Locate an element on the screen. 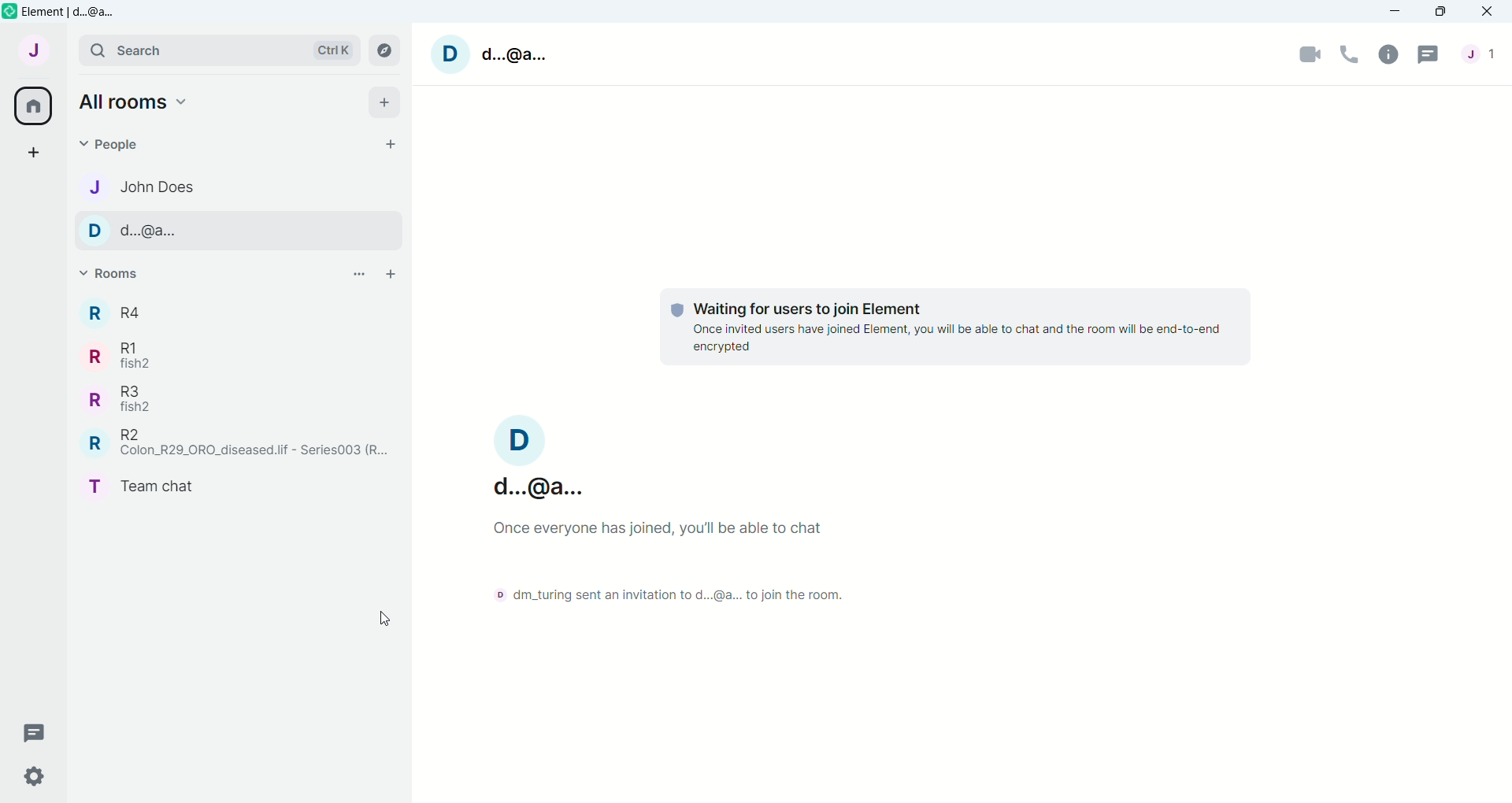 This screenshot has width=1512, height=803. J John Does is located at coordinates (143, 187).